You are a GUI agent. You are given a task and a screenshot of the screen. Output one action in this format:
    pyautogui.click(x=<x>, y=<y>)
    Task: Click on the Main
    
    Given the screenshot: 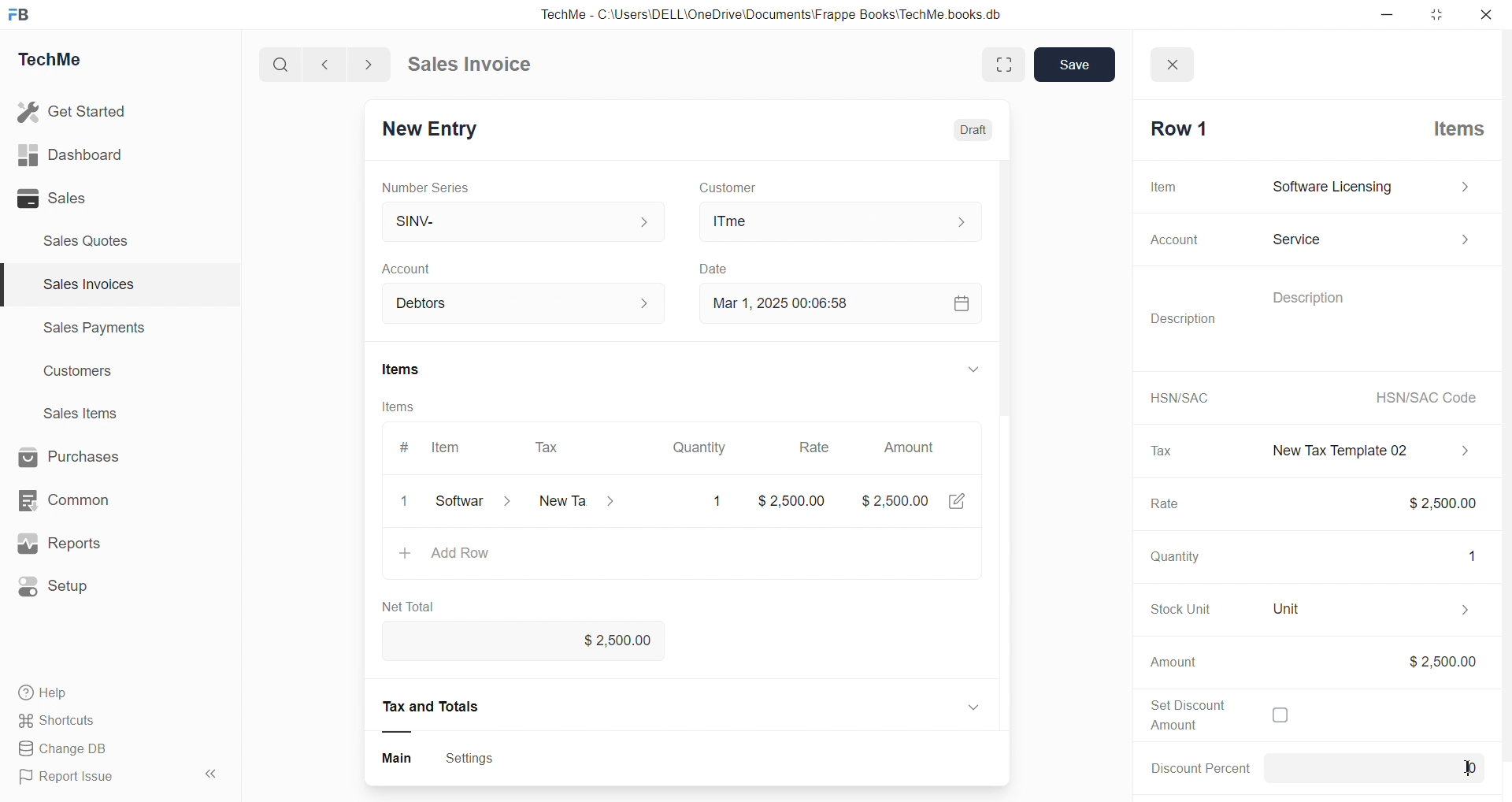 What is the action you would take?
    pyautogui.click(x=395, y=756)
    